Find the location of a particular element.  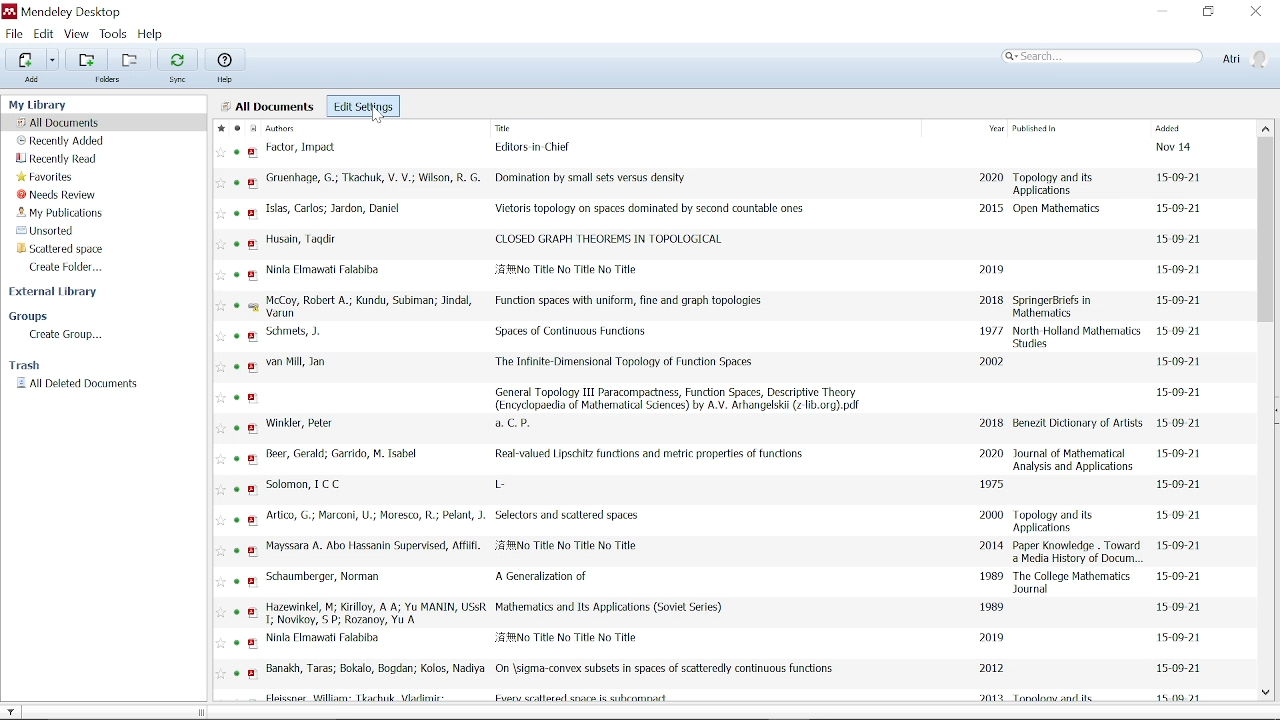

Close is located at coordinates (1255, 11).